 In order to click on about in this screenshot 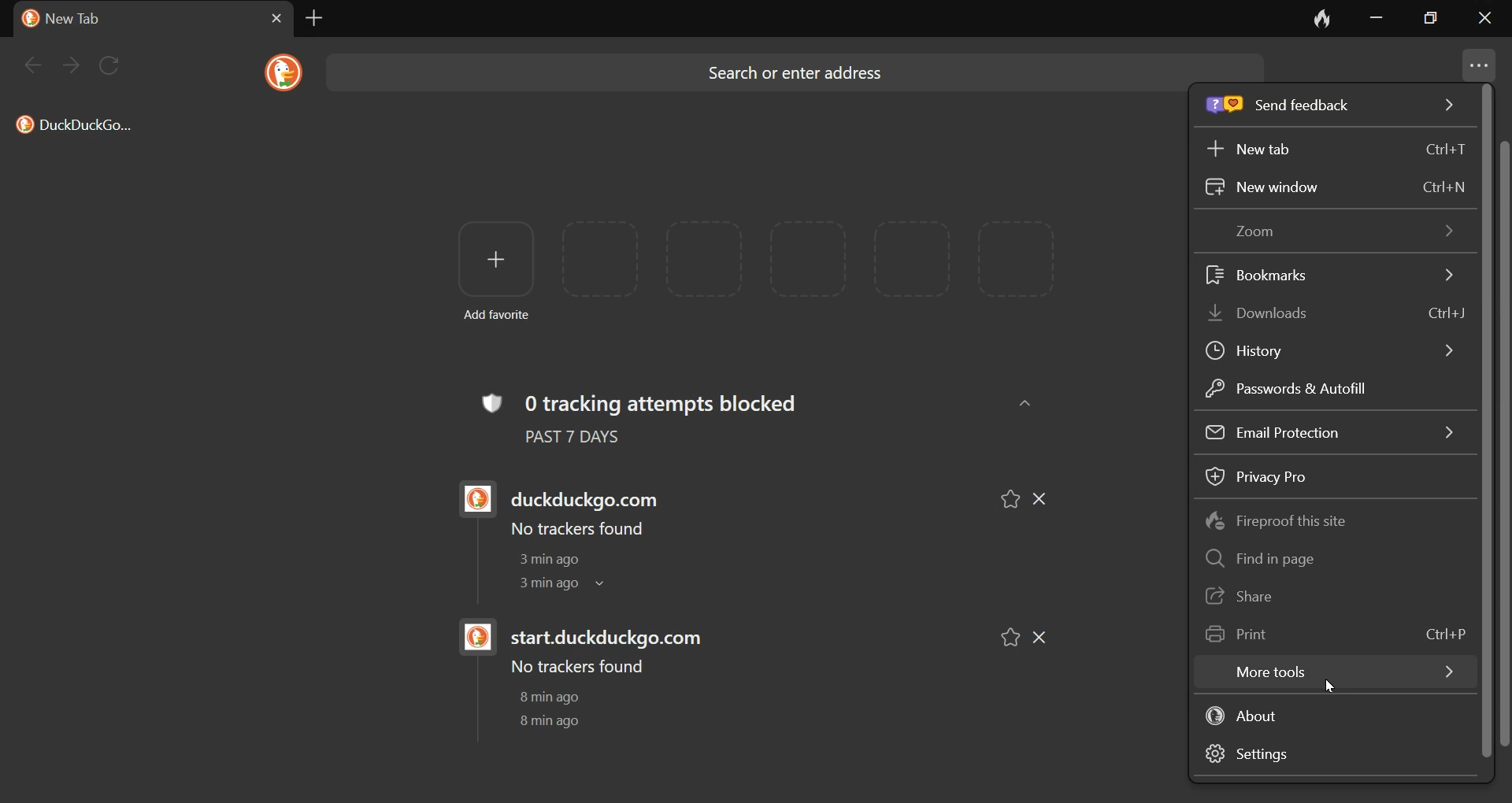, I will do `click(1258, 713)`.